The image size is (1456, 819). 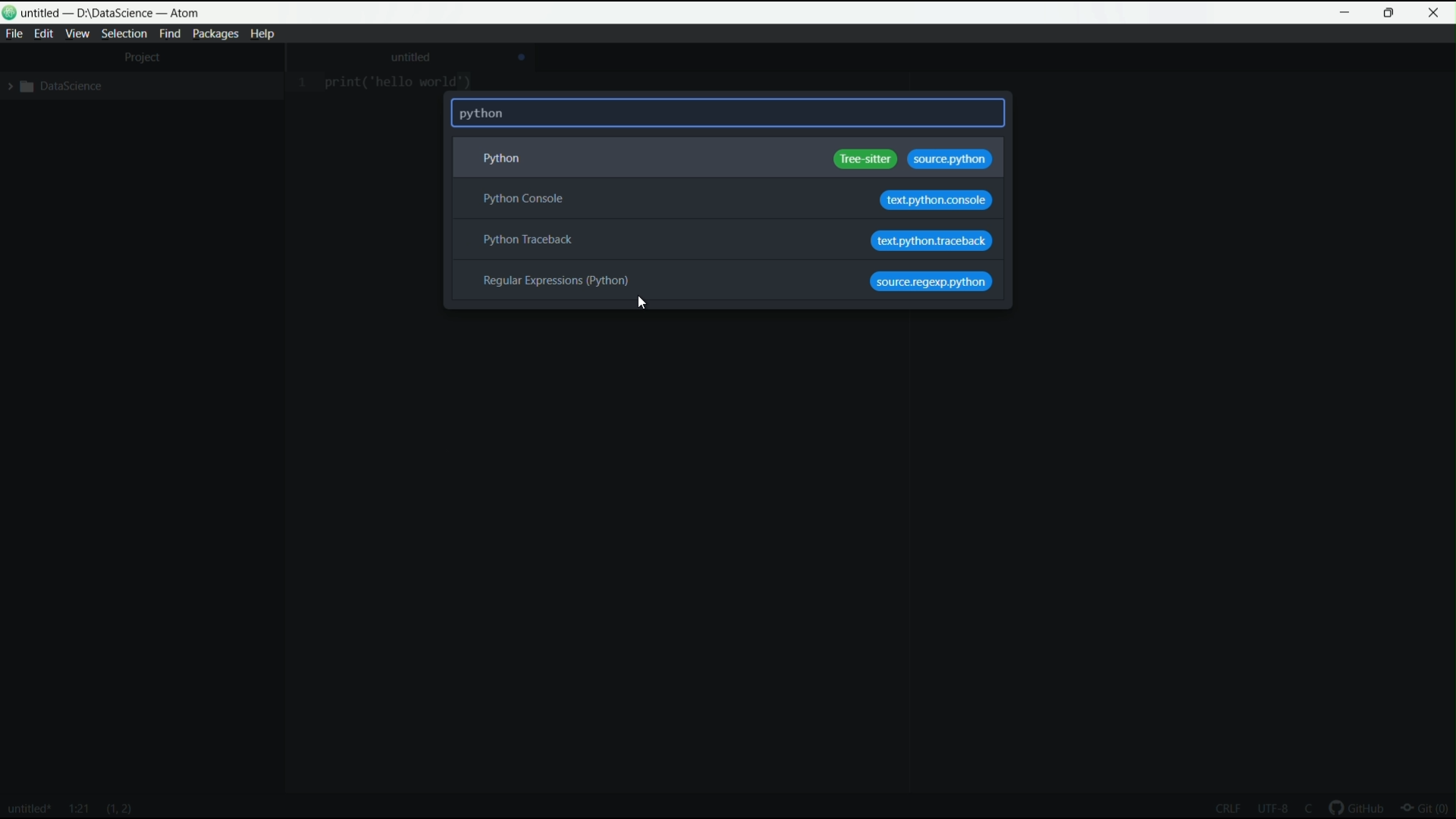 I want to click on selection menu, so click(x=124, y=34).